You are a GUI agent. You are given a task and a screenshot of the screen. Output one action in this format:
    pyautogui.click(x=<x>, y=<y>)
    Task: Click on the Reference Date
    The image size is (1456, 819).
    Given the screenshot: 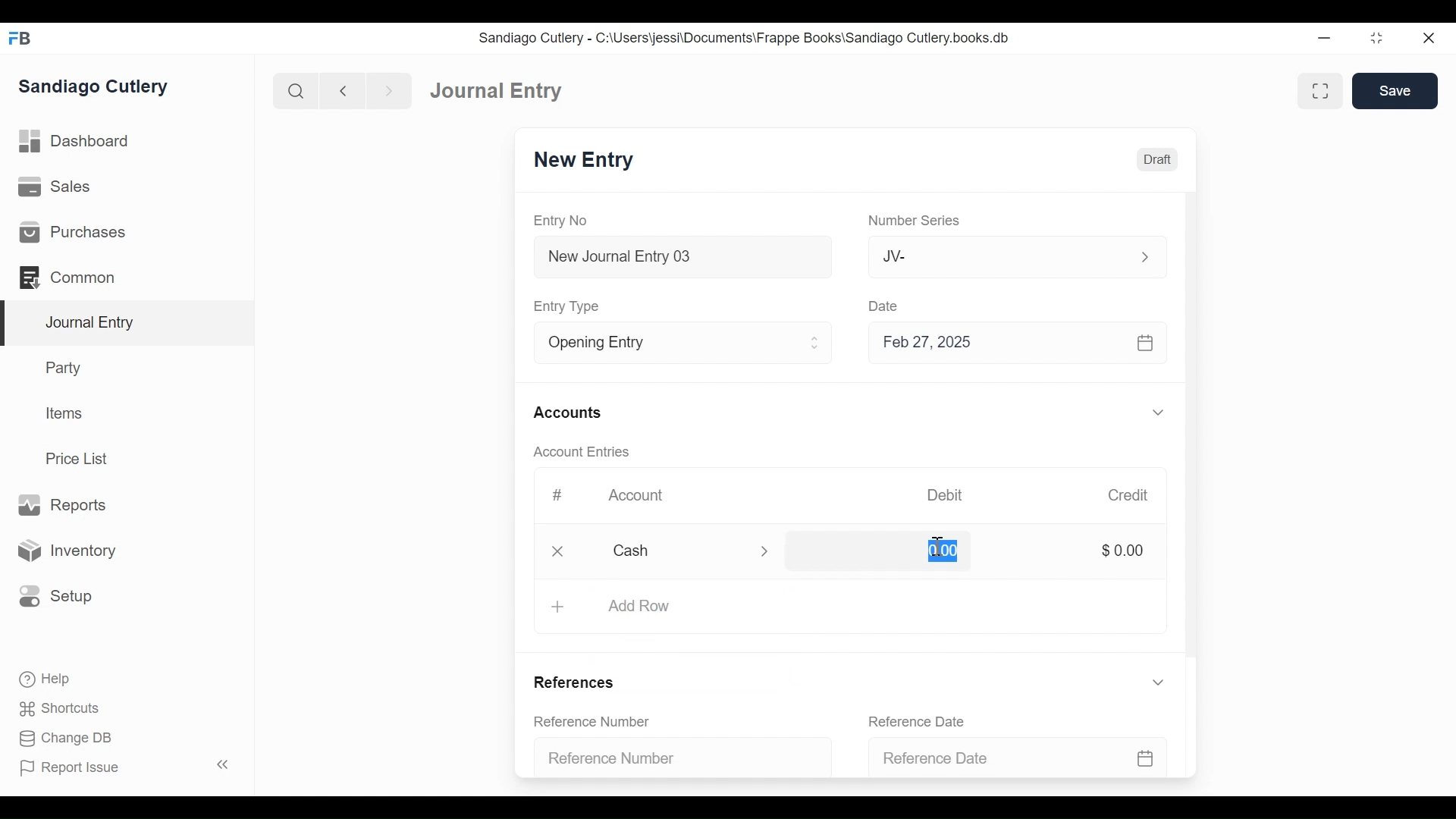 What is the action you would take?
    pyautogui.click(x=921, y=720)
    